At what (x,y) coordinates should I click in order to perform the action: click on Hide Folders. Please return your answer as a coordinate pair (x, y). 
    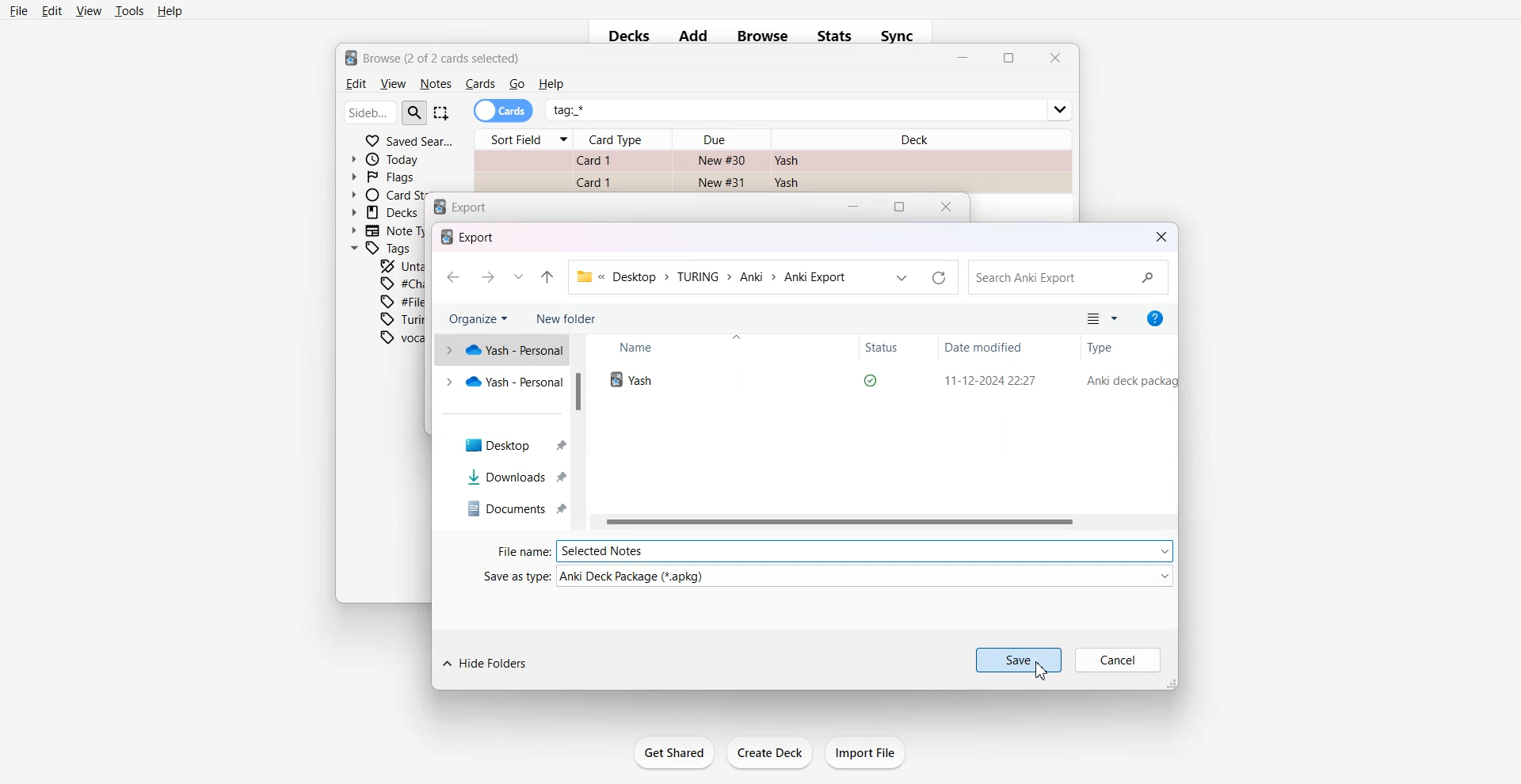
    Looking at the image, I should click on (486, 663).